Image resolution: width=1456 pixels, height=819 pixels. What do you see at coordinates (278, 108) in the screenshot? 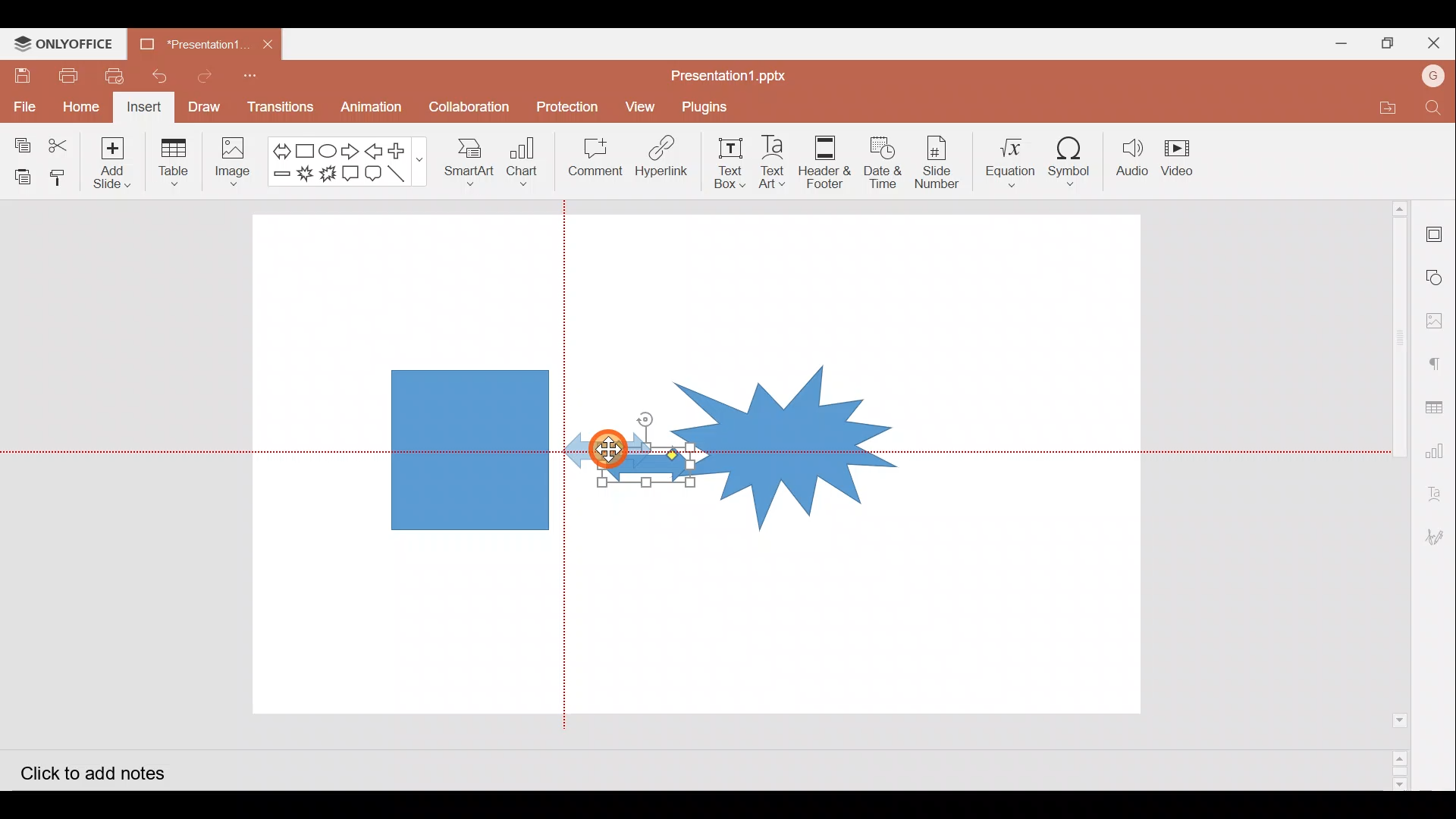
I see `Transitions` at bounding box center [278, 108].